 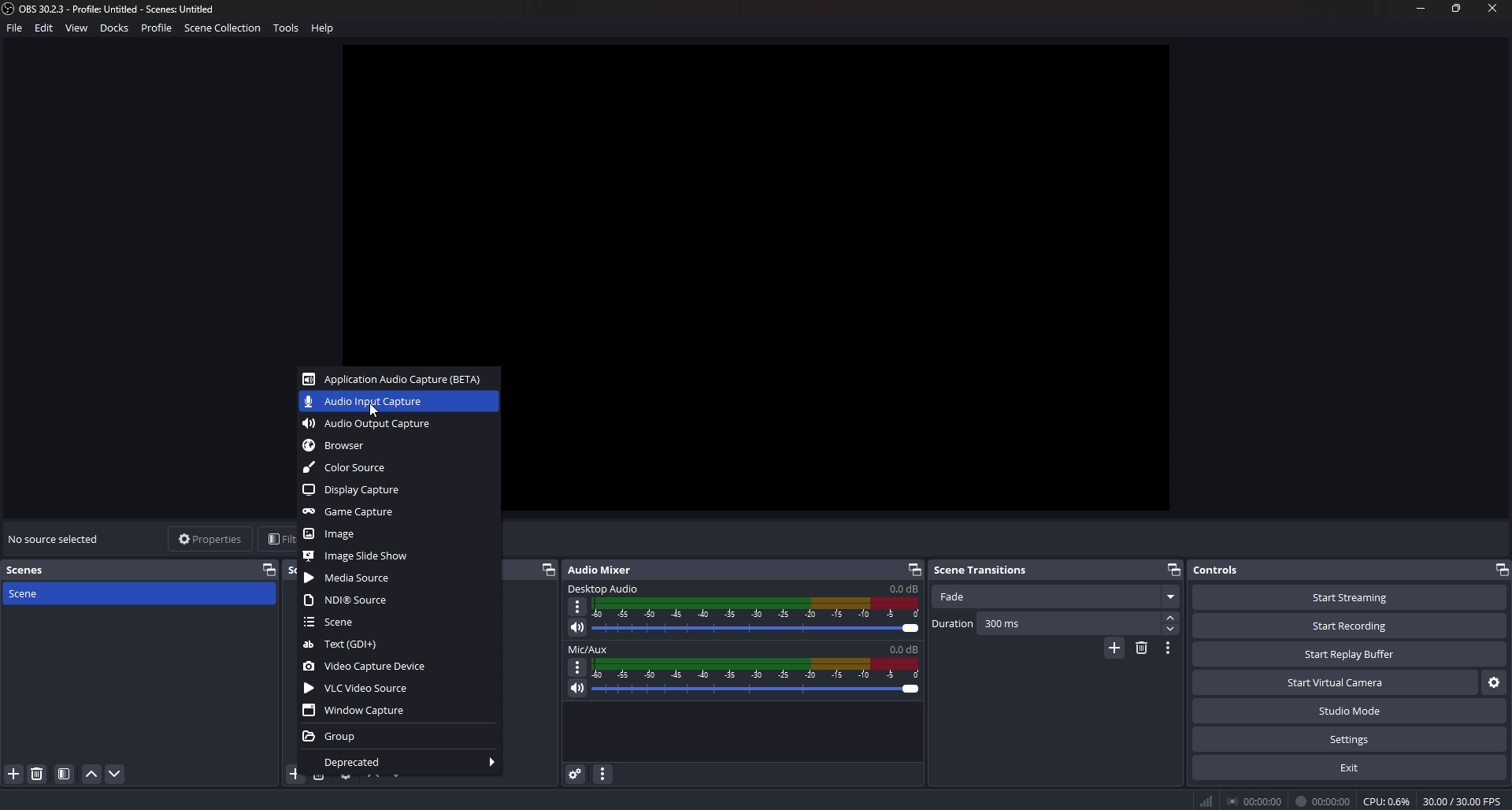 What do you see at coordinates (1334, 683) in the screenshot?
I see `start virtual camera` at bounding box center [1334, 683].